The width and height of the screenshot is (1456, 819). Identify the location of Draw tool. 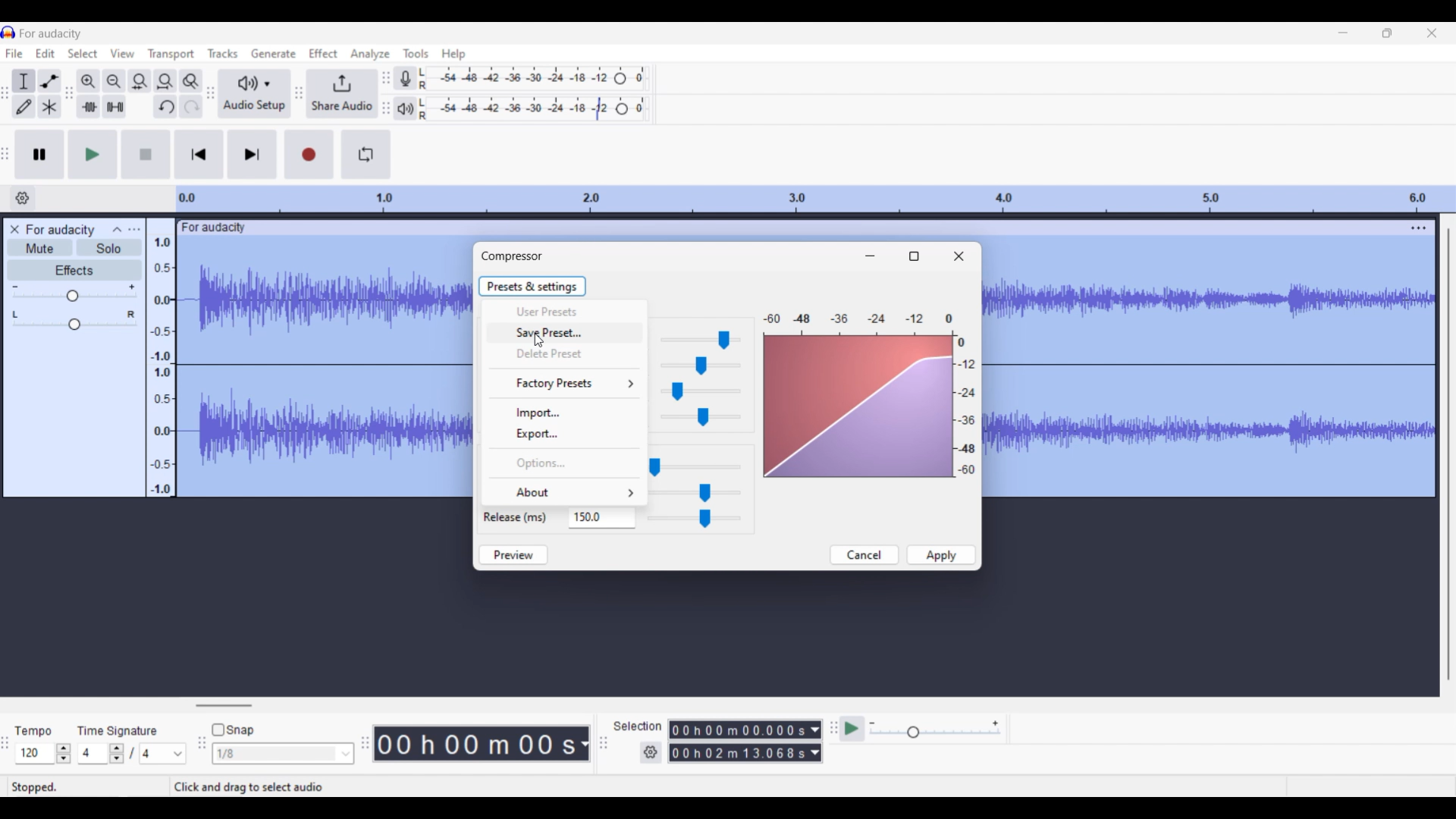
(24, 107).